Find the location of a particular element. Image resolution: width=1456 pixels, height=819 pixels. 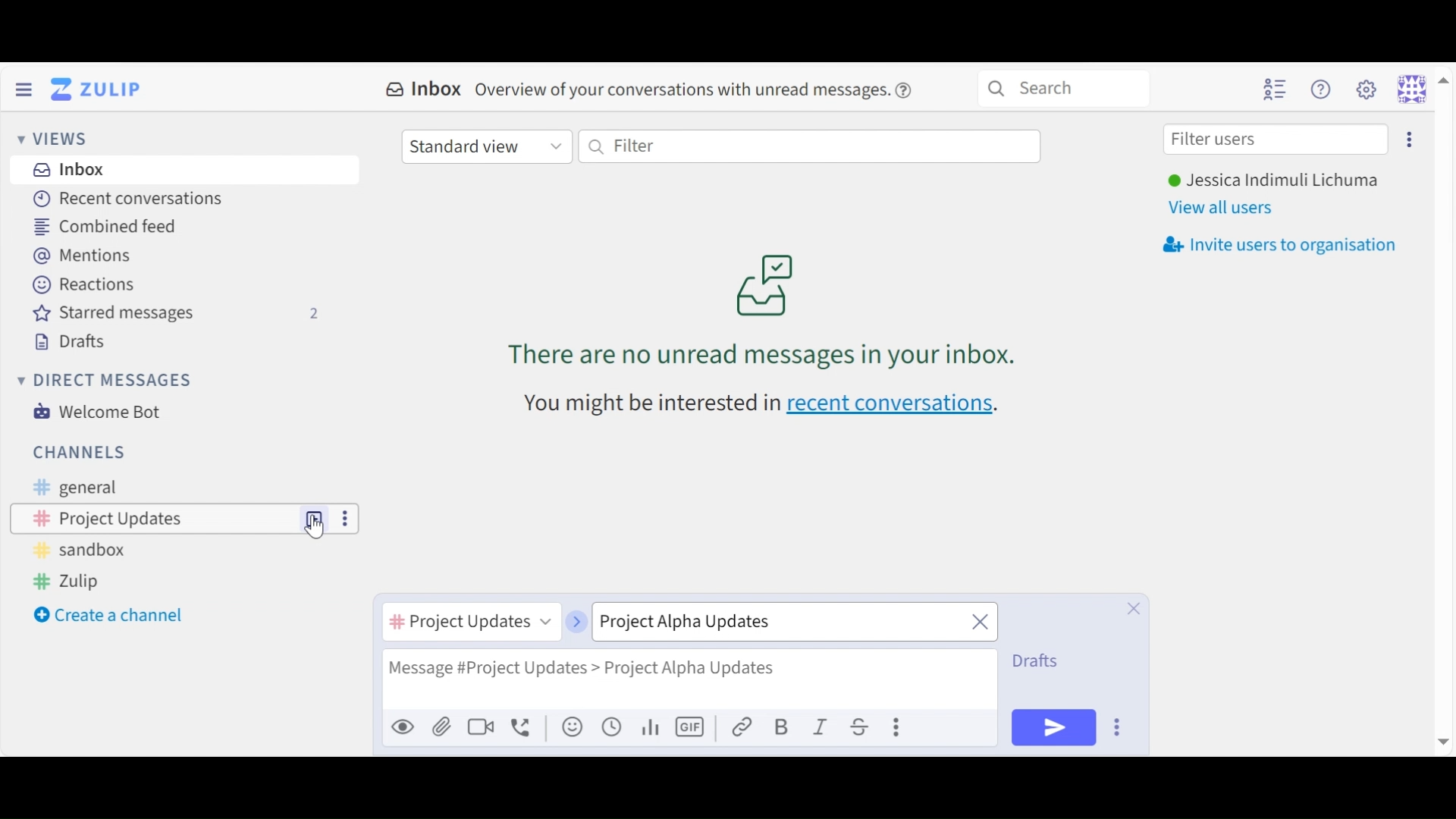

Hide Sidebar is located at coordinates (24, 88).